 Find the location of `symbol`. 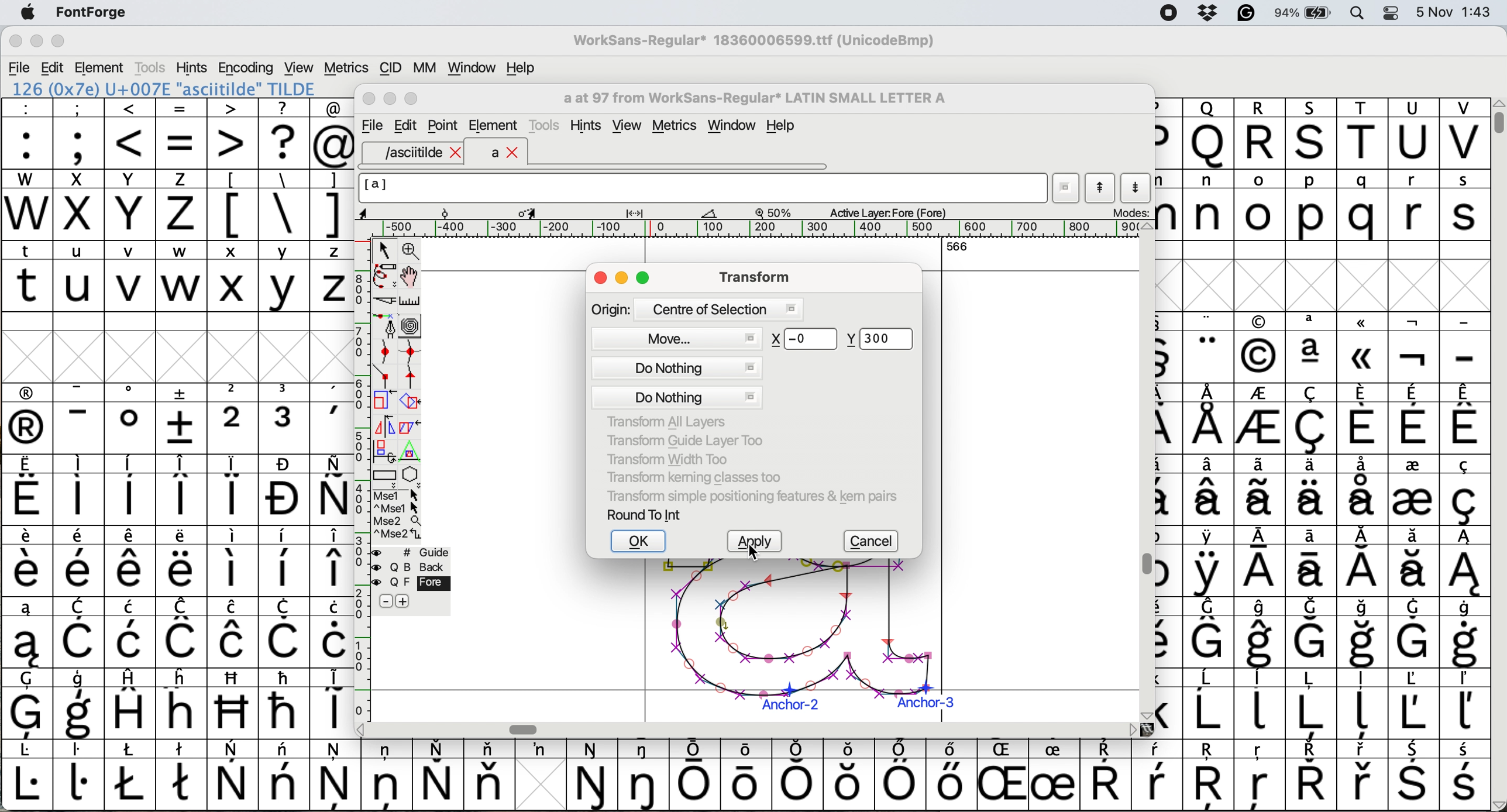

symbol is located at coordinates (27, 562).